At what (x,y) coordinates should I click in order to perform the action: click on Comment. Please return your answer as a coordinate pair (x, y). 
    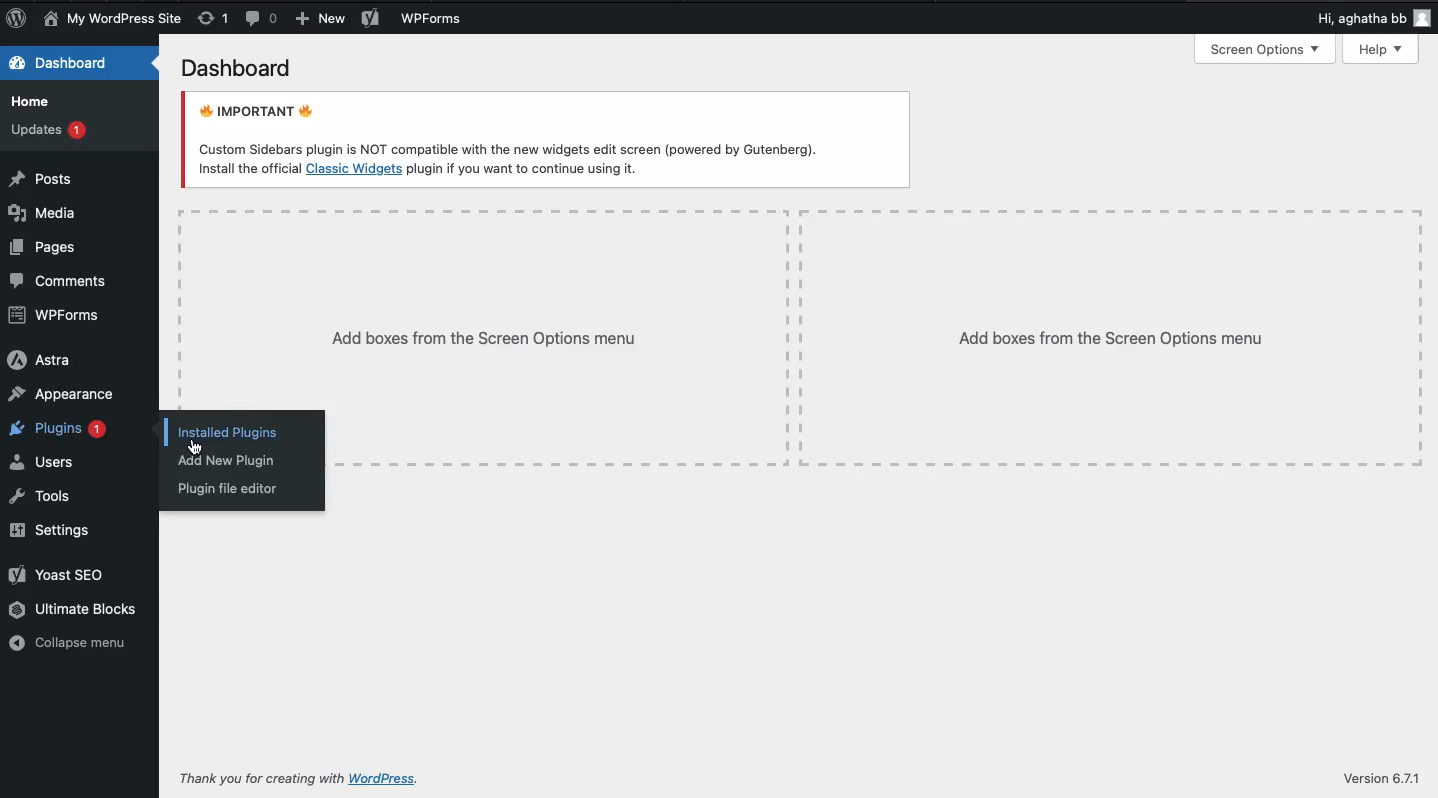
    Looking at the image, I should click on (261, 20).